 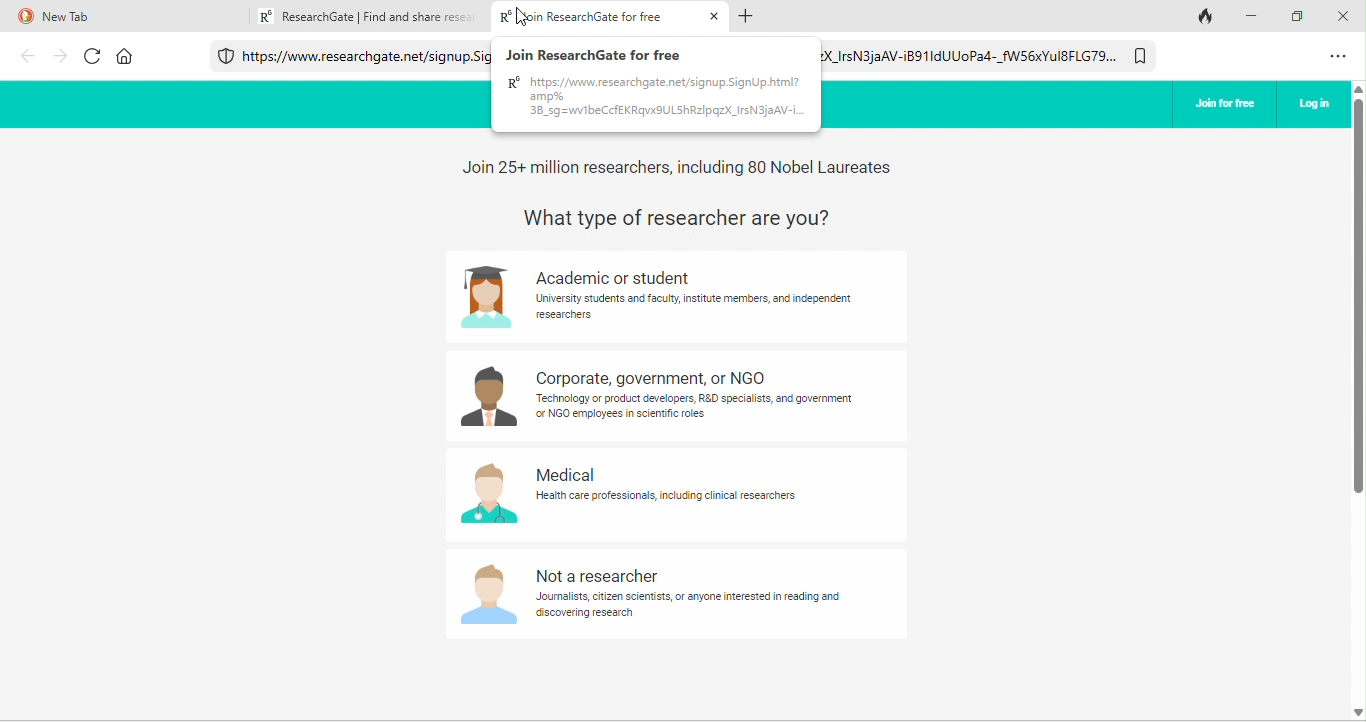 What do you see at coordinates (1337, 58) in the screenshot?
I see `option` at bounding box center [1337, 58].